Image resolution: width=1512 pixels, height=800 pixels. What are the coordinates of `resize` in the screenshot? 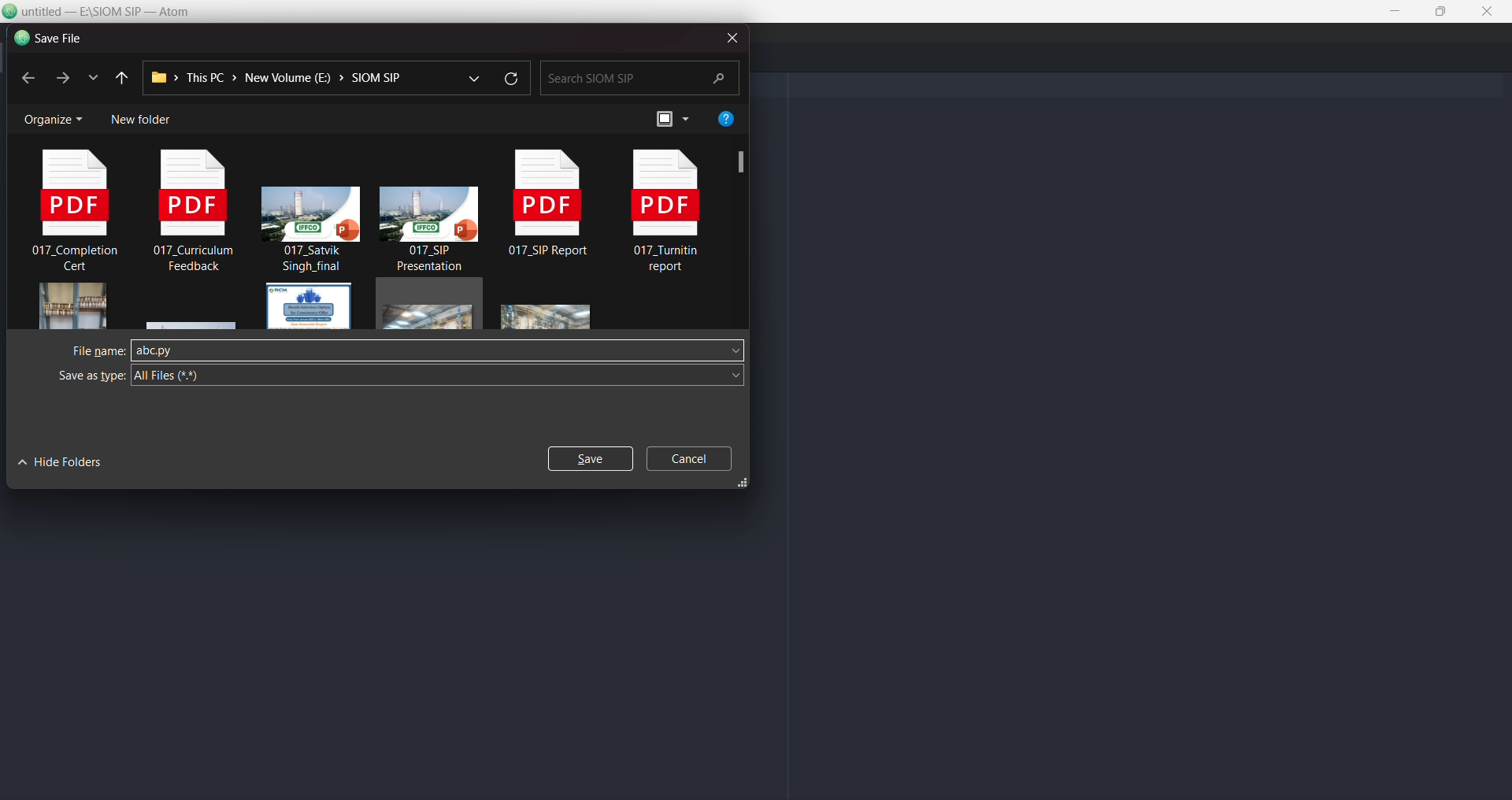 It's located at (744, 486).